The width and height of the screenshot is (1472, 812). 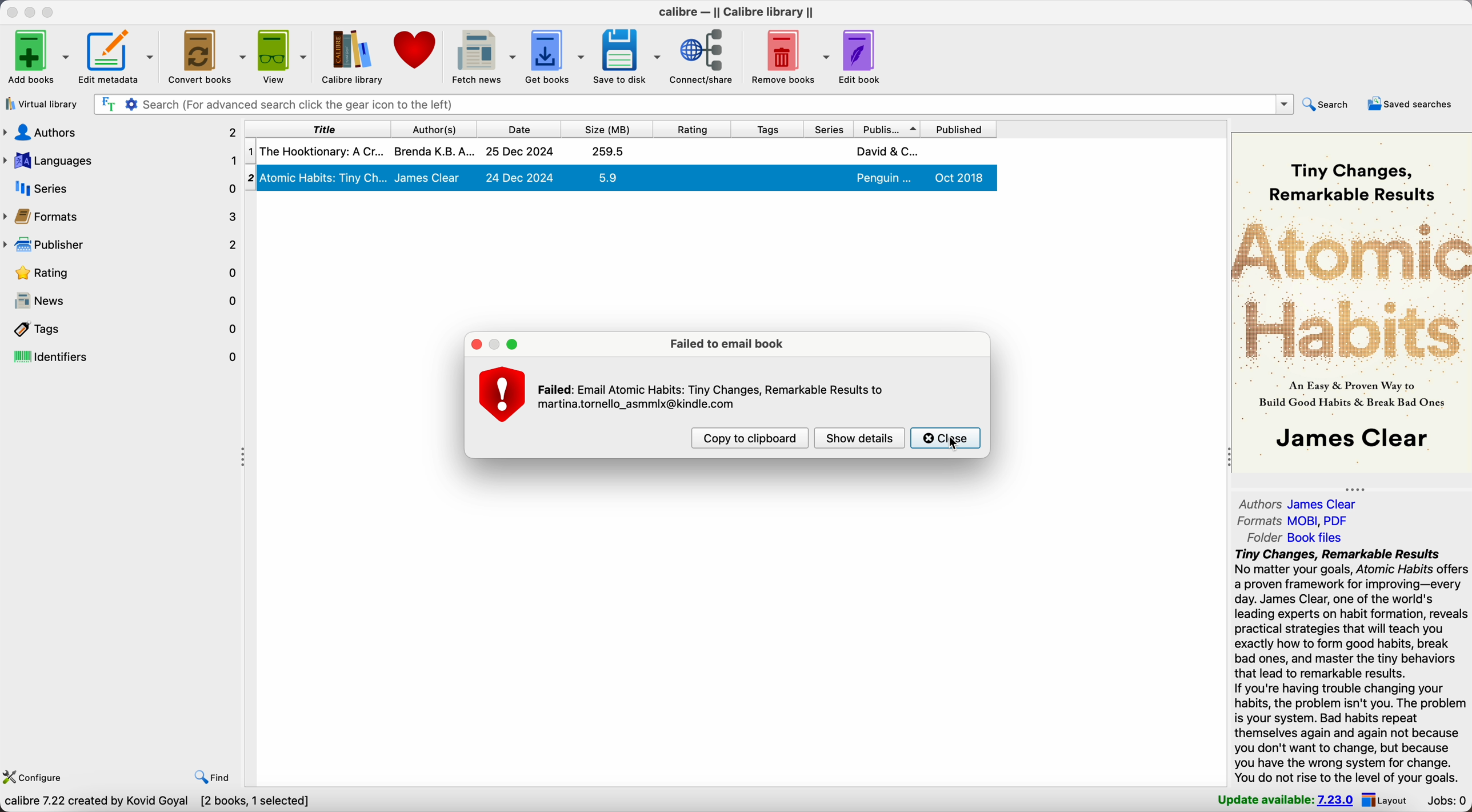 What do you see at coordinates (887, 151) in the screenshot?
I see `David & C` at bounding box center [887, 151].